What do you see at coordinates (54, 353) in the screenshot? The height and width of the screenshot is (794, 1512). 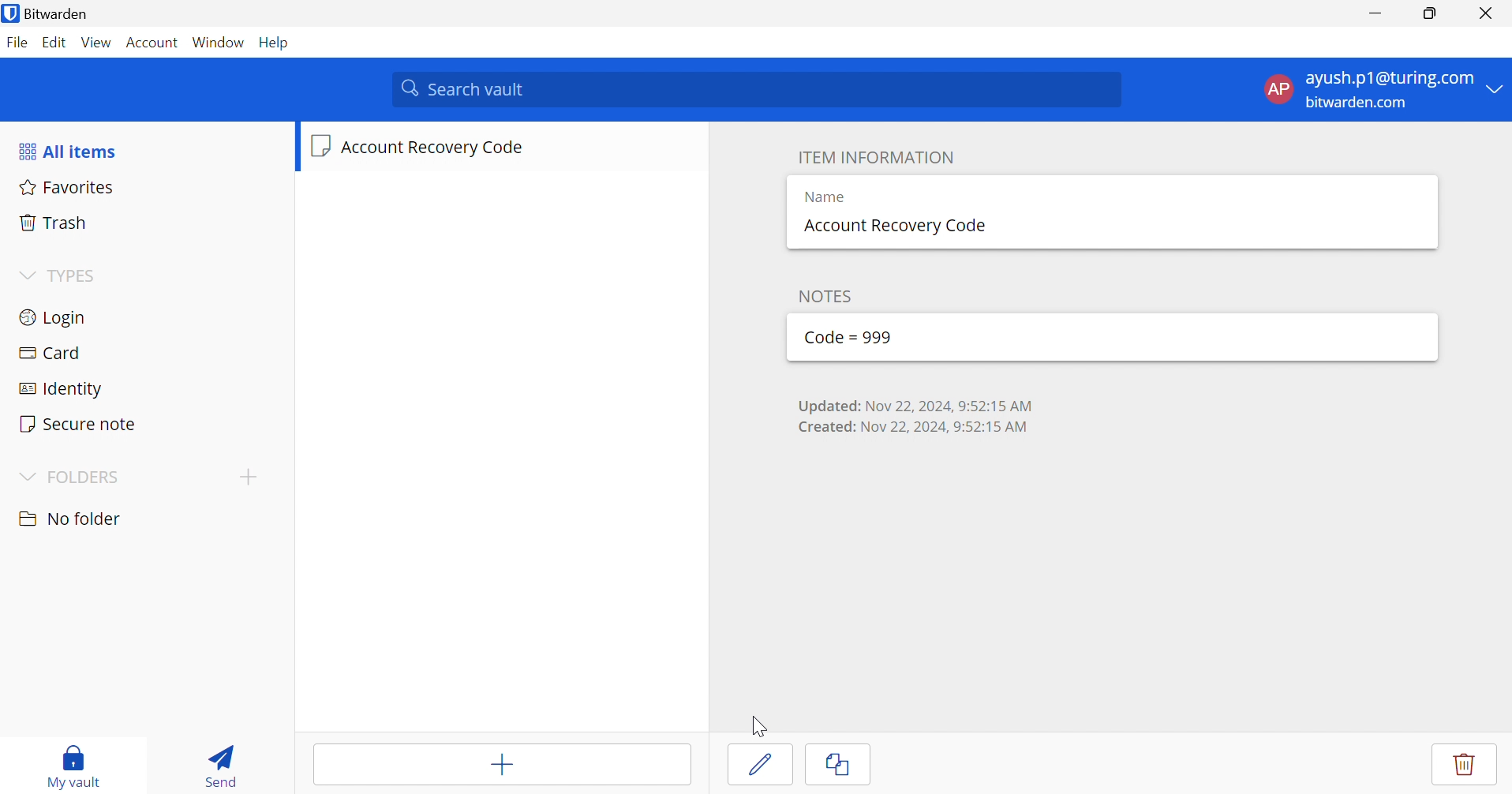 I see `Card` at bounding box center [54, 353].